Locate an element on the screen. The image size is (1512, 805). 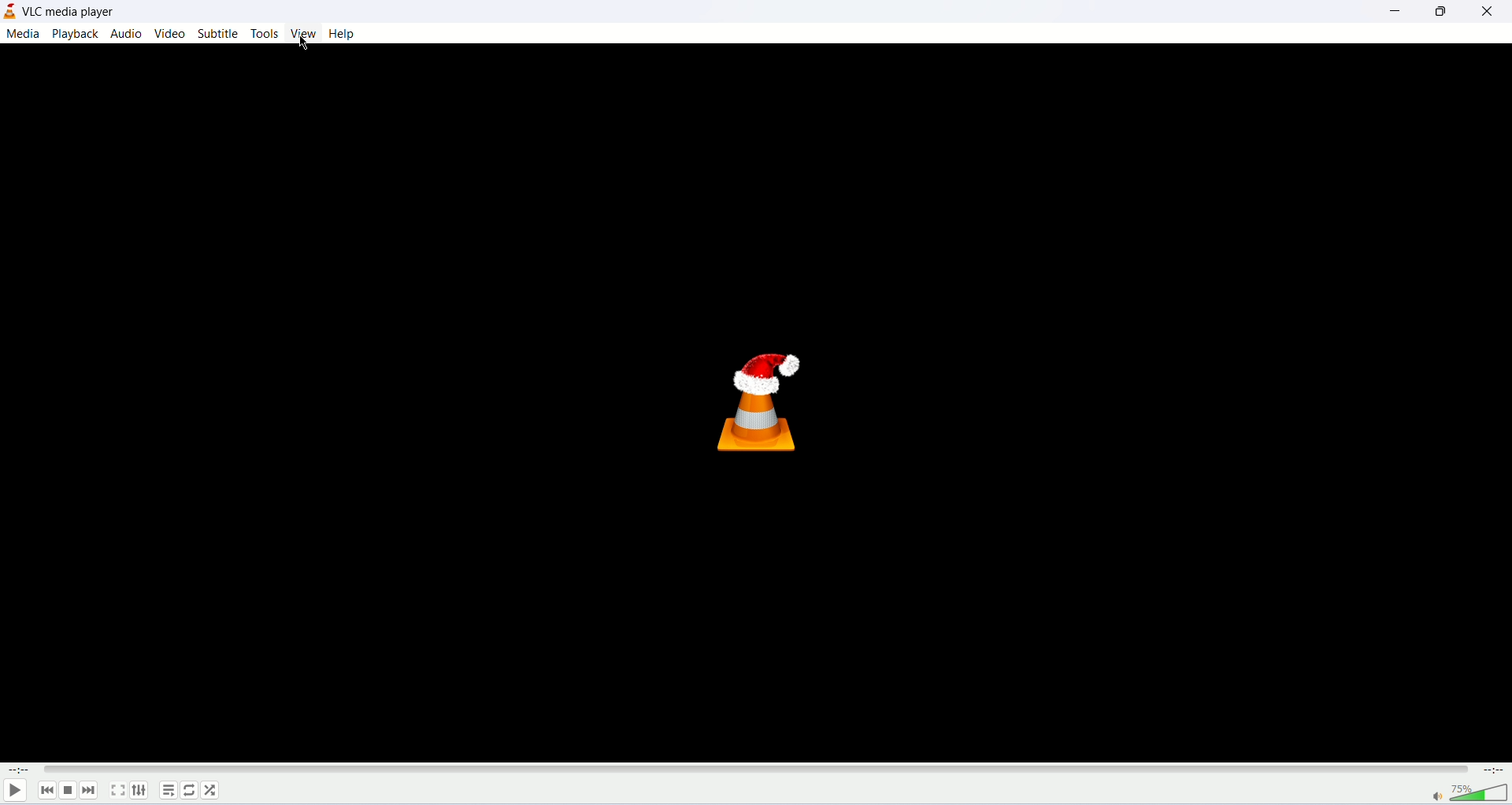
next is located at coordinates (88, 790).